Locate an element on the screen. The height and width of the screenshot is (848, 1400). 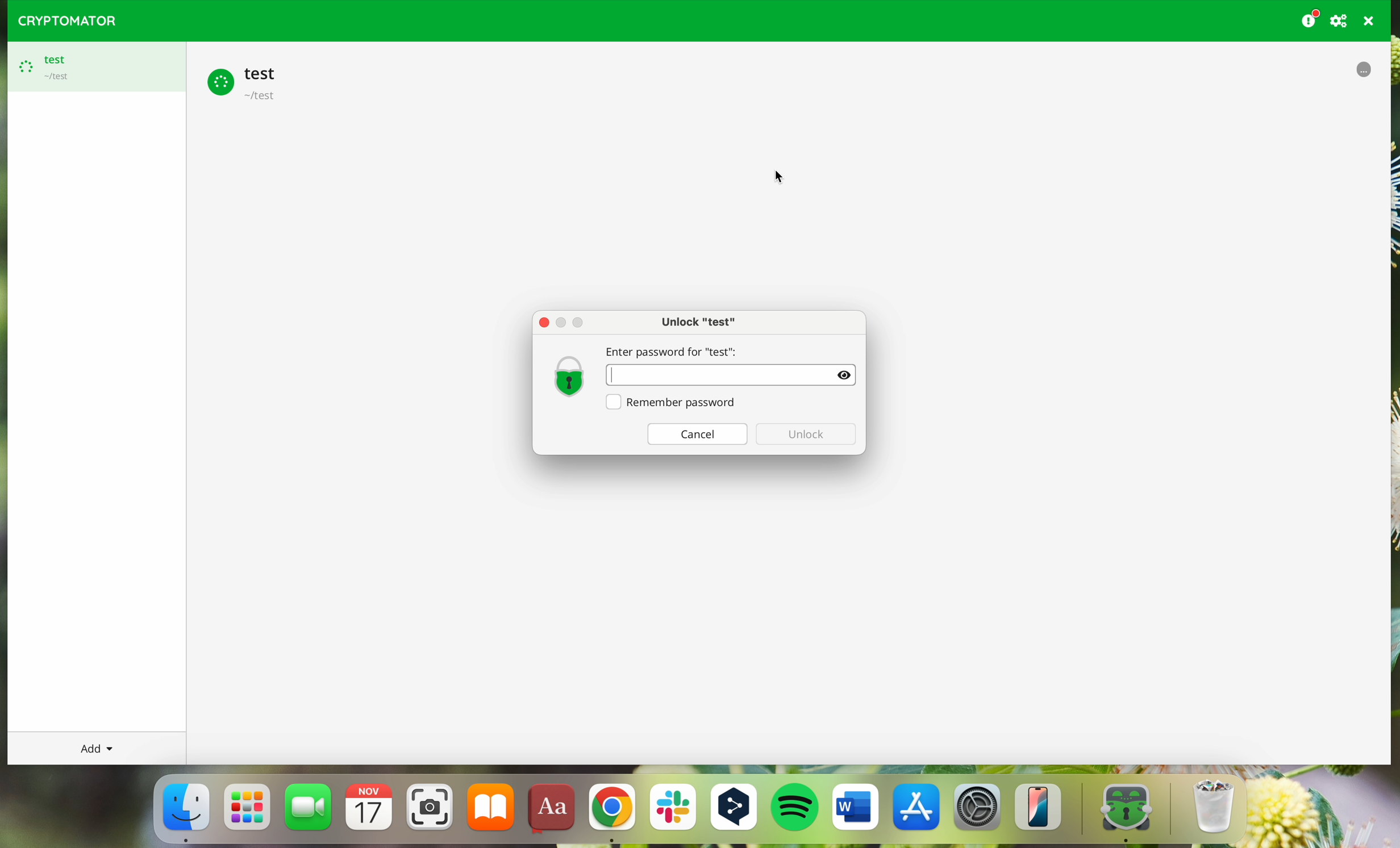
cursor is located at coordinates (778, 175).